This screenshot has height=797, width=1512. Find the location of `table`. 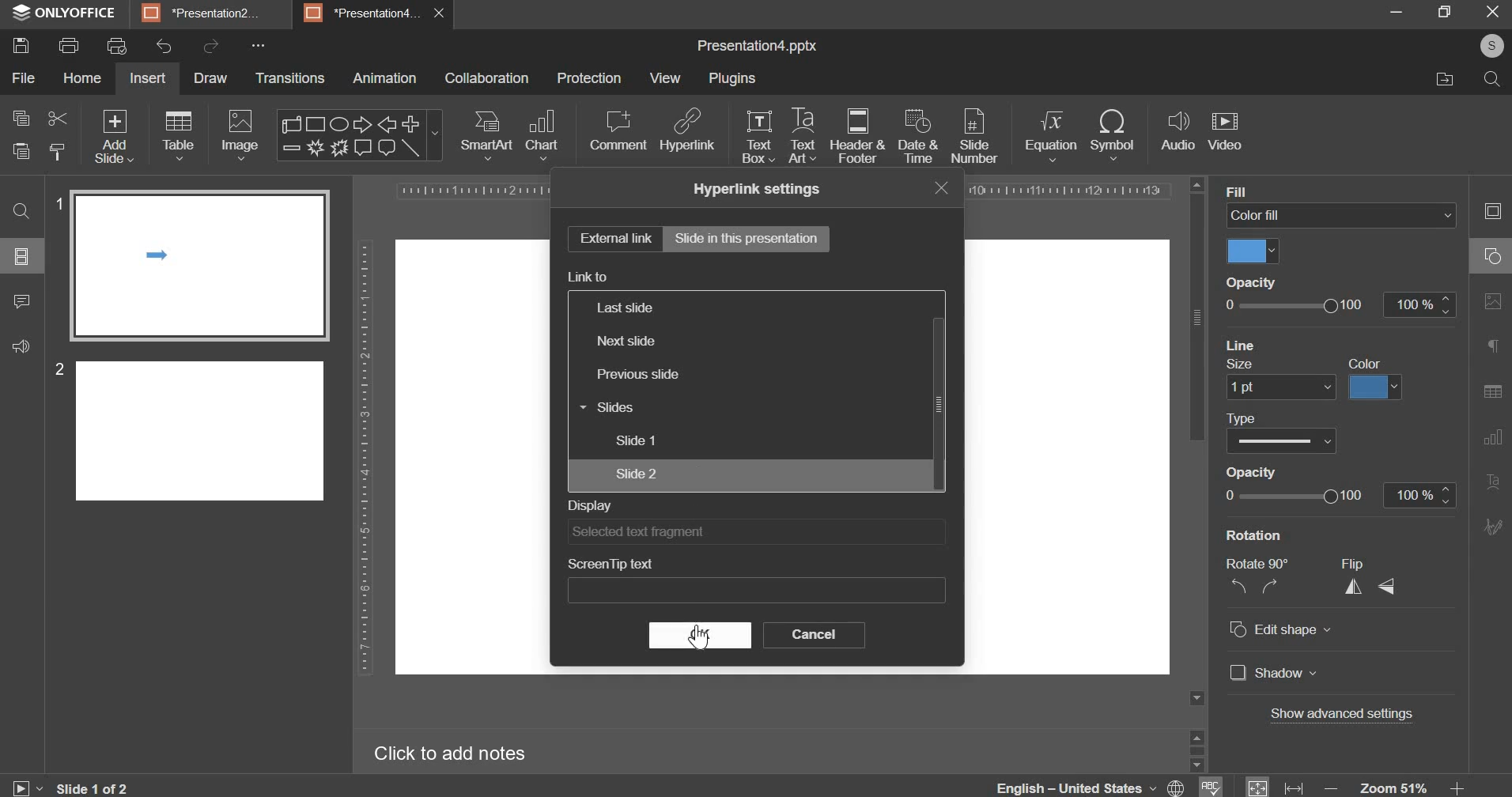

table is located at coordinates (179, 137).